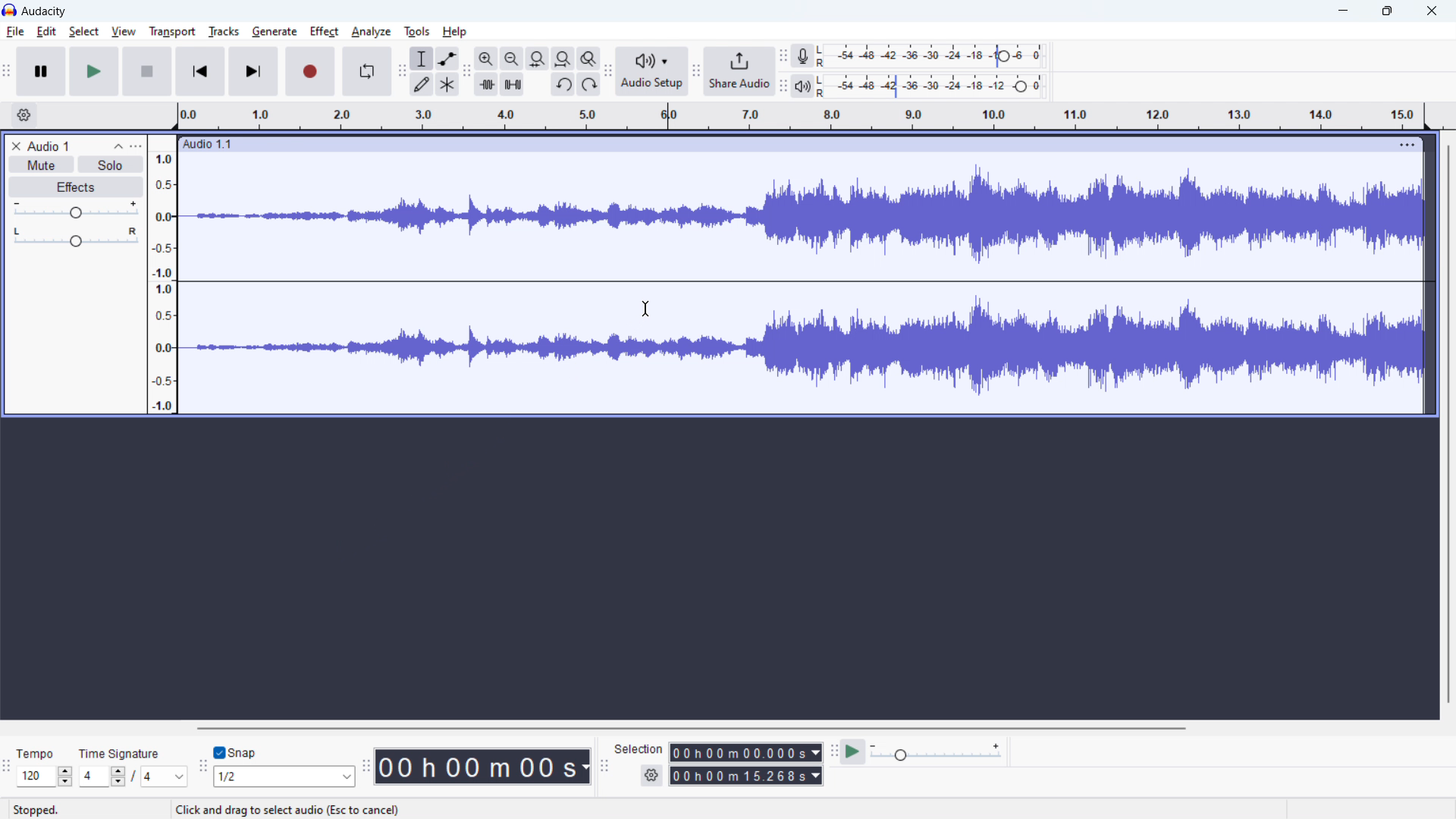 The width and height of the screenshot is (1456, 819). What do you see at coordinates (639, 747) in the screenshot?
I see `Selection` at bounding box center [639, 747].